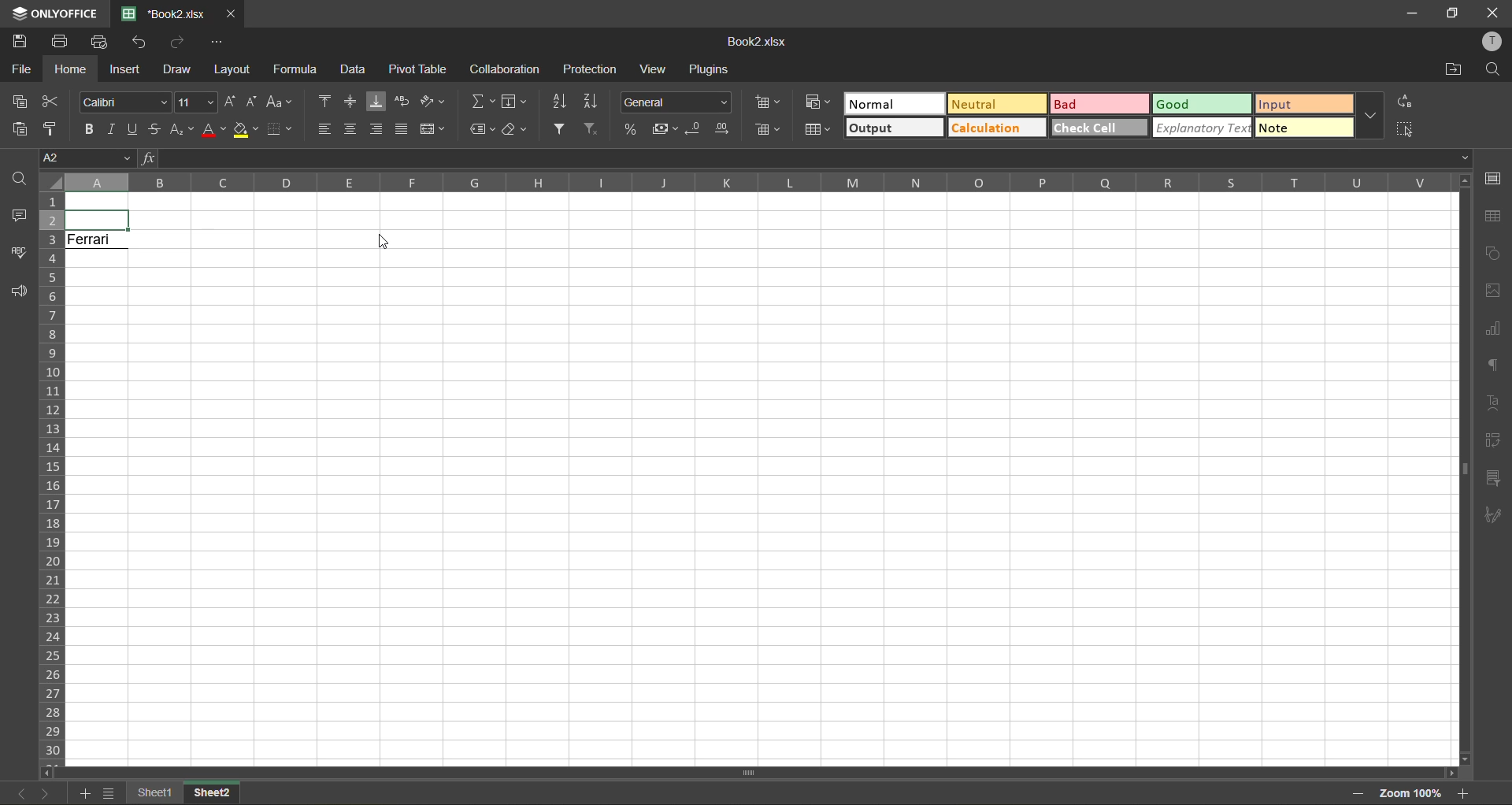 This screenshot has width=1512, height=805. Describe the element at coordinates (591, 71) in the screenshot. I see `protection` at that location.